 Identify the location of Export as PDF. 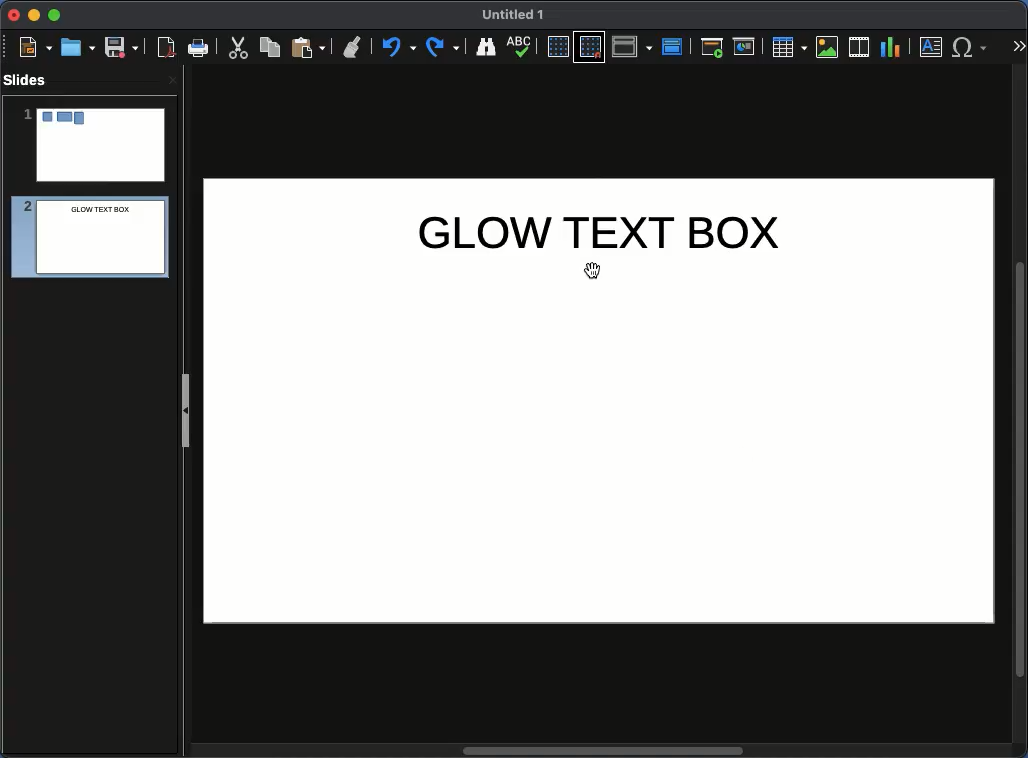
(166, 48).